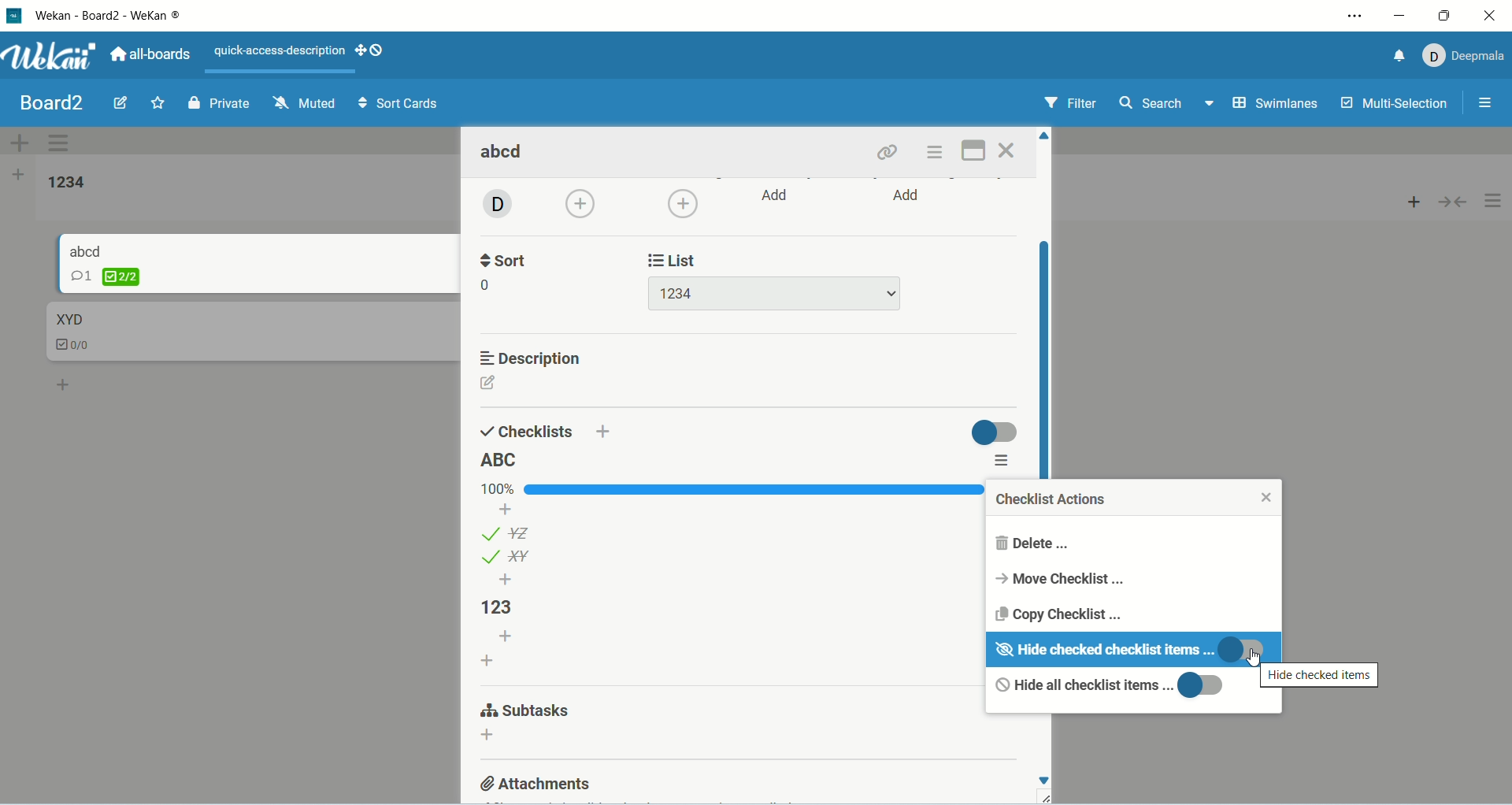 This screenshot has width=1512, height=805. What do you see at coordinates (1056, 577) in the screenshot?
I see `move checklist` at bounding box center [1056, 577].